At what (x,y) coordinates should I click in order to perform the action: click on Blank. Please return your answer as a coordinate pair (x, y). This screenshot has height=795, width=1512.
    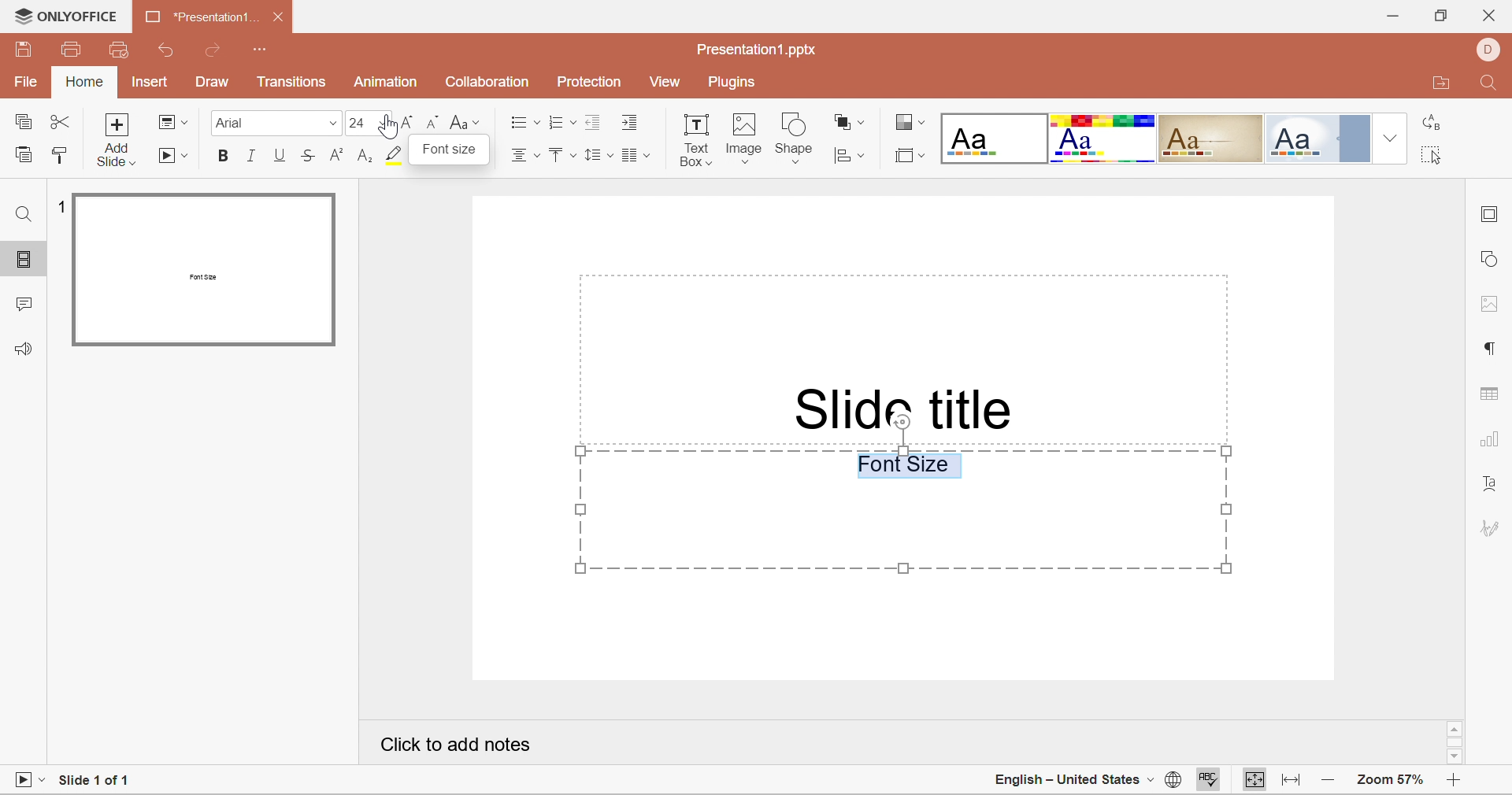
    Looking at the image, I should click on (993, 138).